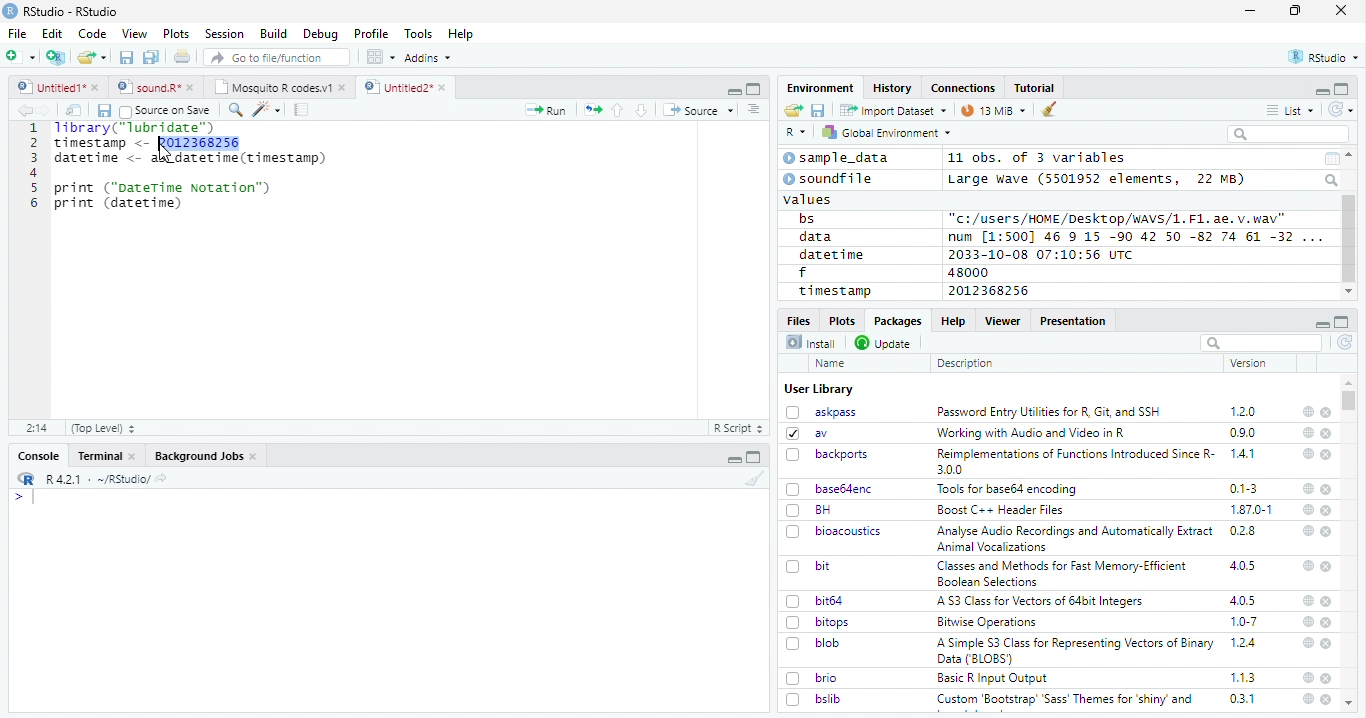  Describe the element at coordinates (1245, 642) in the screenshot. I see `1.2.4` at that location.